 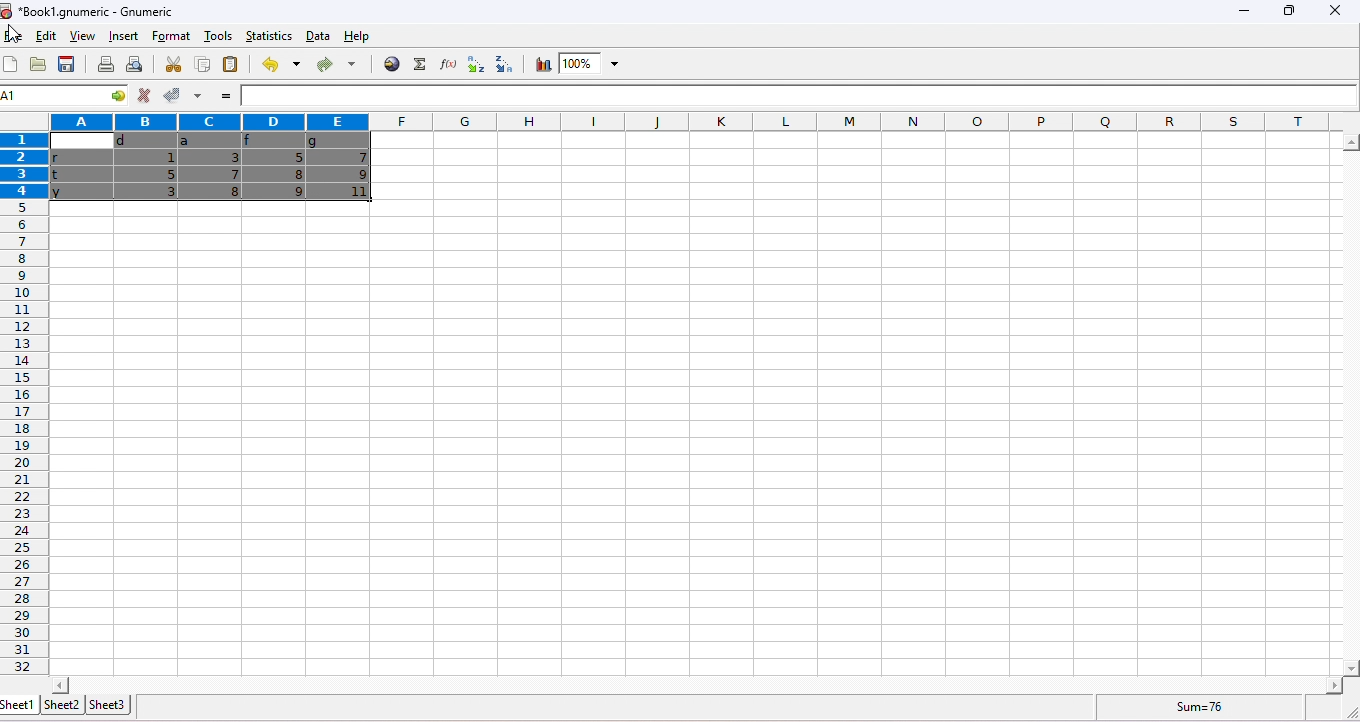 I want to click on chart, so click(x=541, y=65).